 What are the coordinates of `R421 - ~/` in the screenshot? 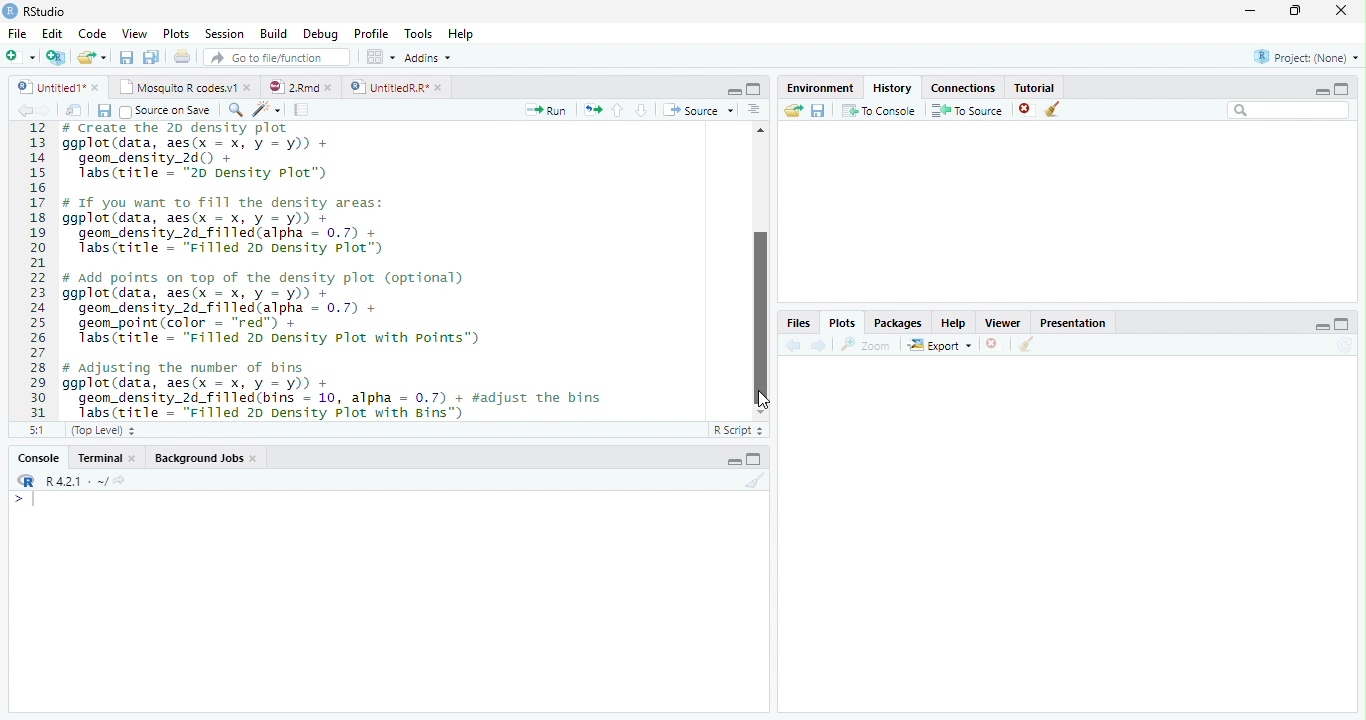 It's located at (70, 481).